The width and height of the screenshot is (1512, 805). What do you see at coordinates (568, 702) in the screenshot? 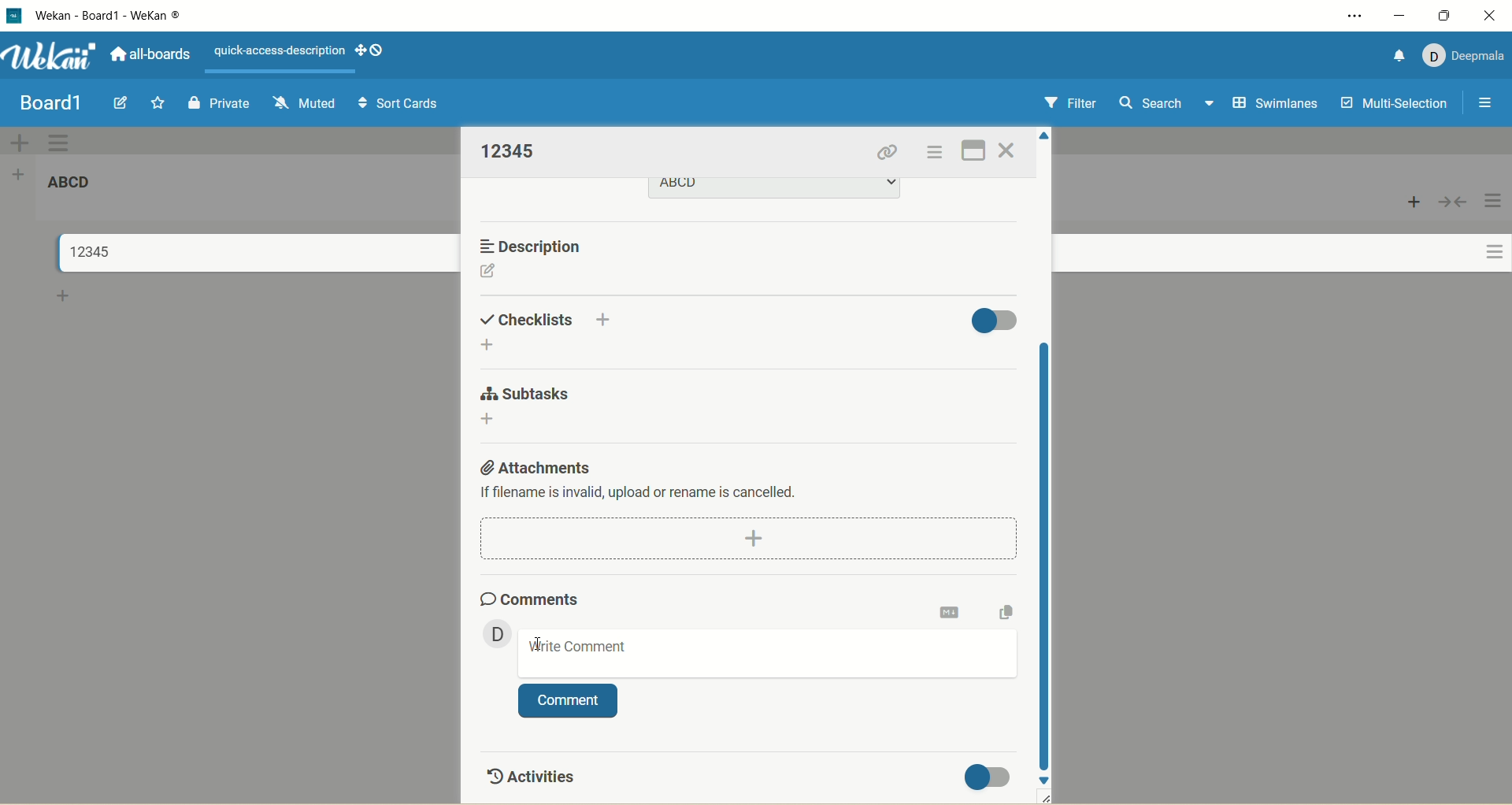
I see `comment` at bounding box center [568, 702].